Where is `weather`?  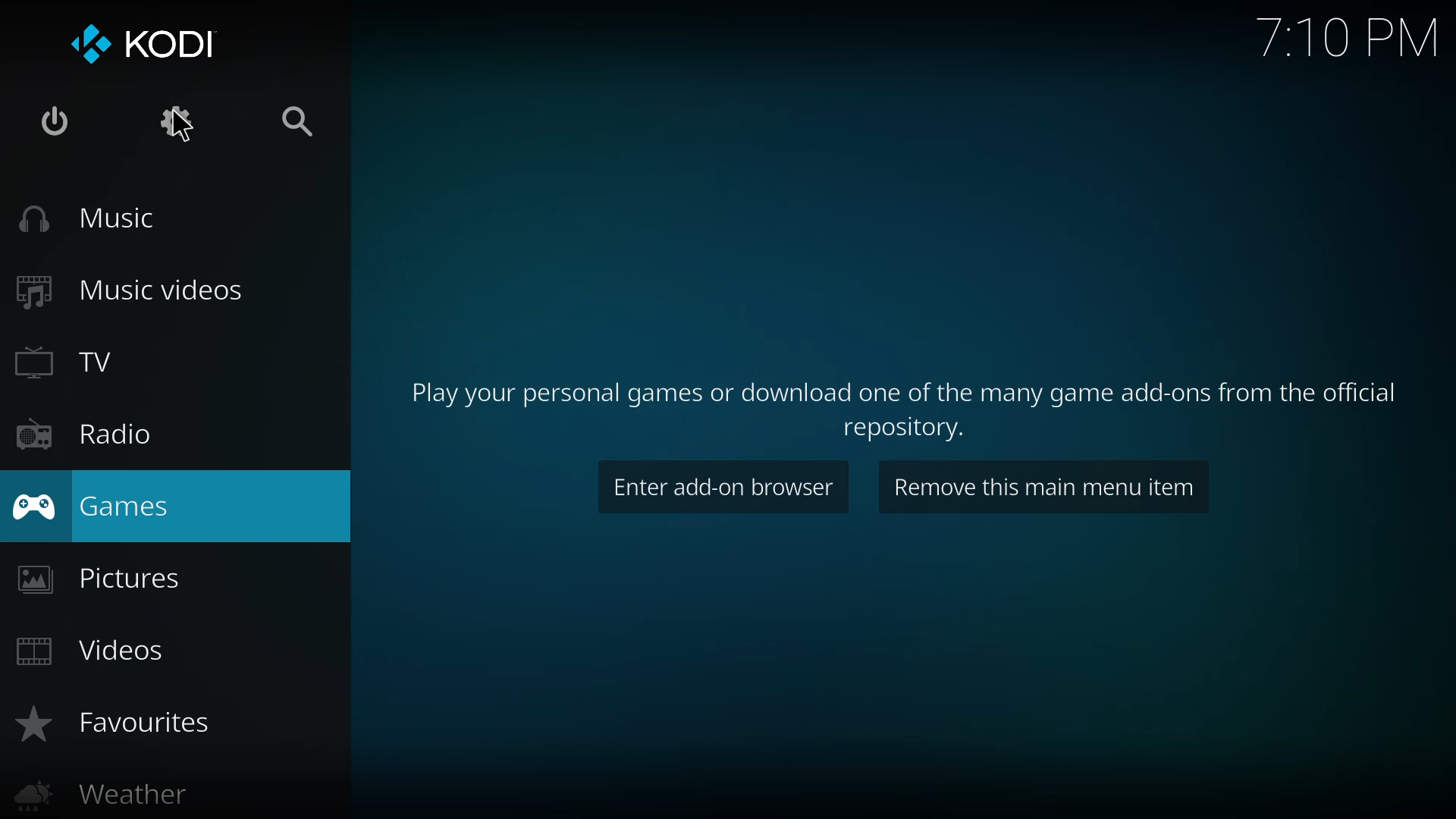 weather is located at coordinates (102, 796).